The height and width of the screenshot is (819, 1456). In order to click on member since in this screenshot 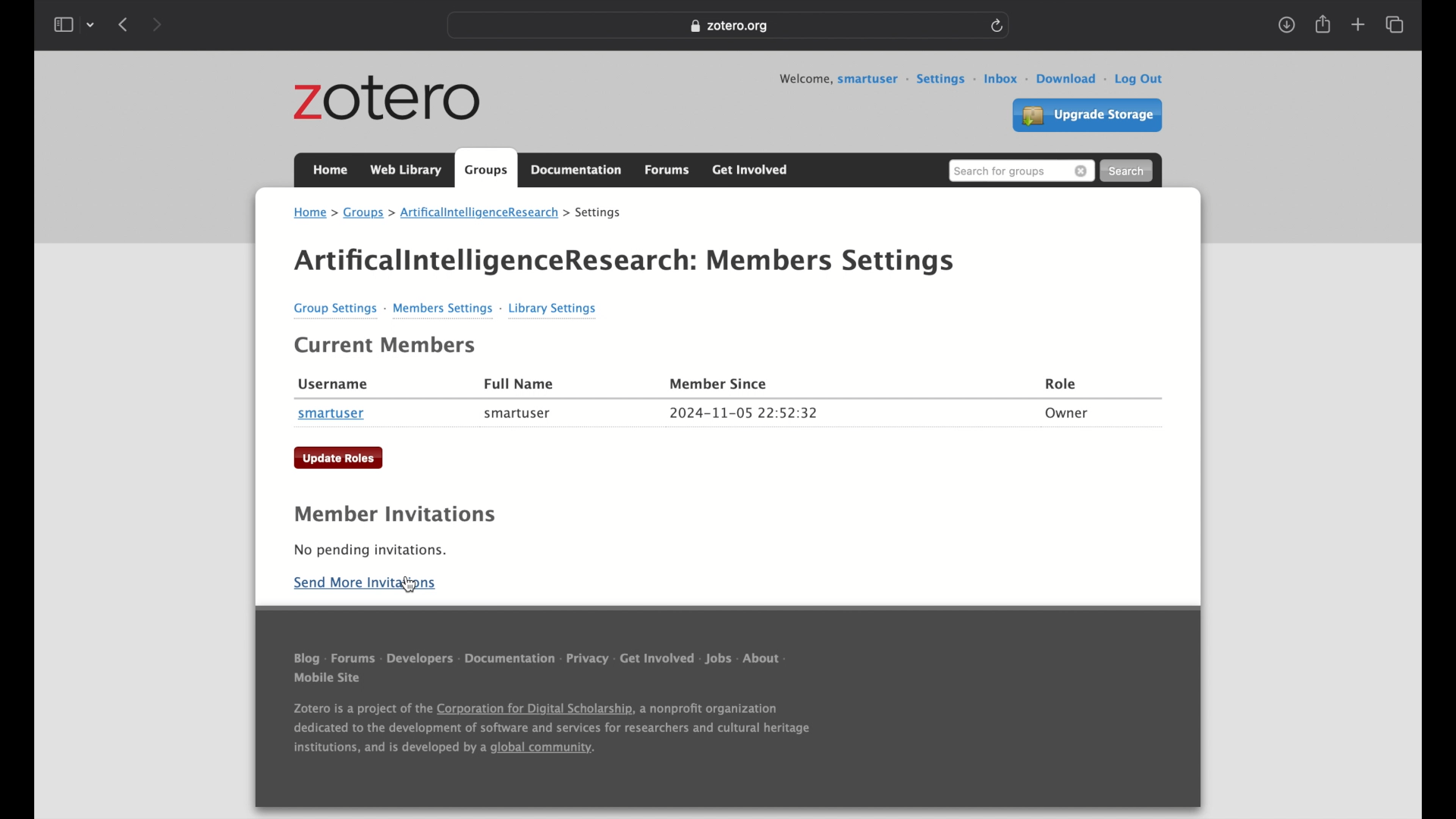, I will do `click(721, 384)`.